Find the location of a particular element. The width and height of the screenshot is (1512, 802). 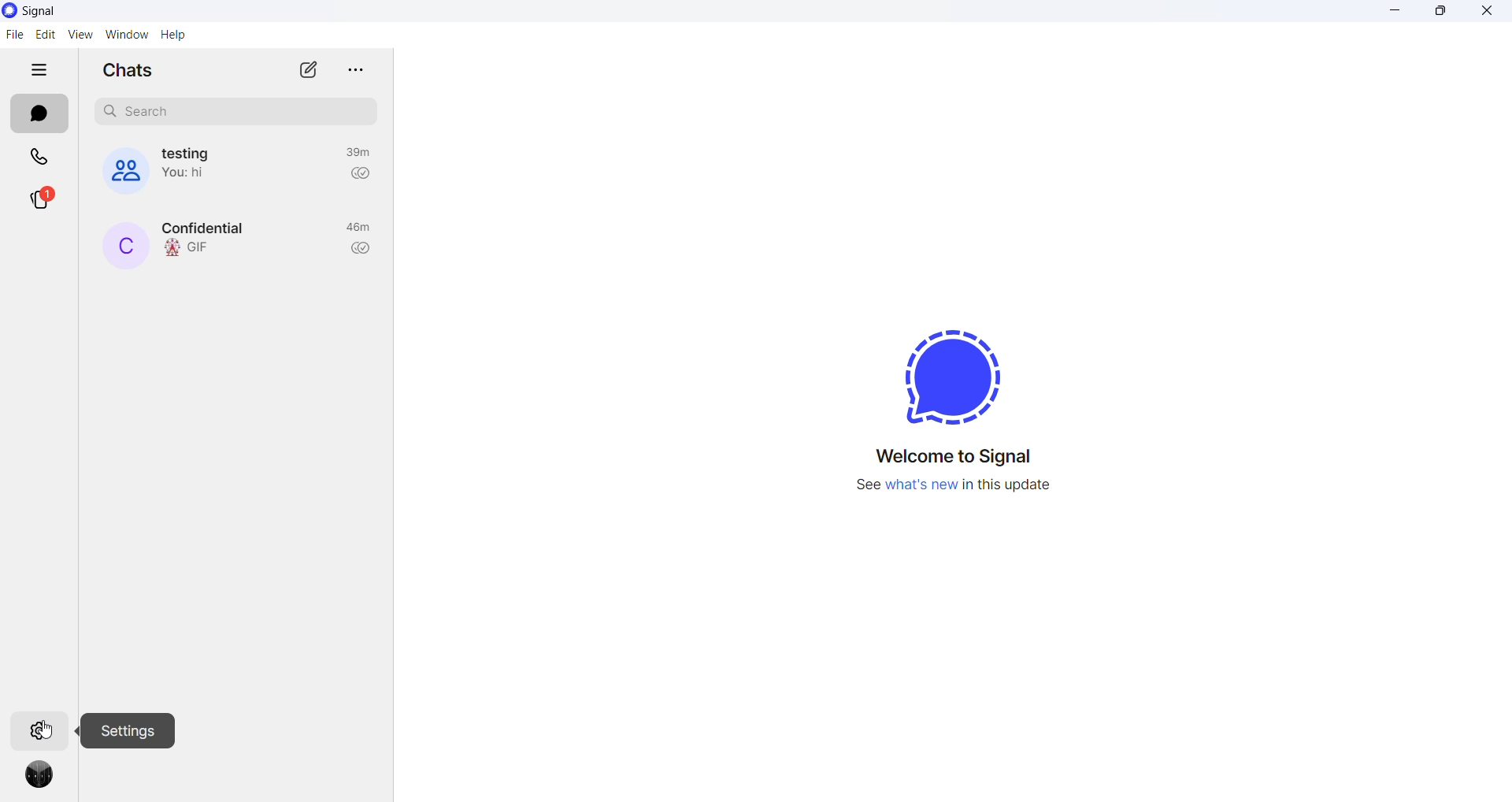

last message is located at coordinates (192, 249).